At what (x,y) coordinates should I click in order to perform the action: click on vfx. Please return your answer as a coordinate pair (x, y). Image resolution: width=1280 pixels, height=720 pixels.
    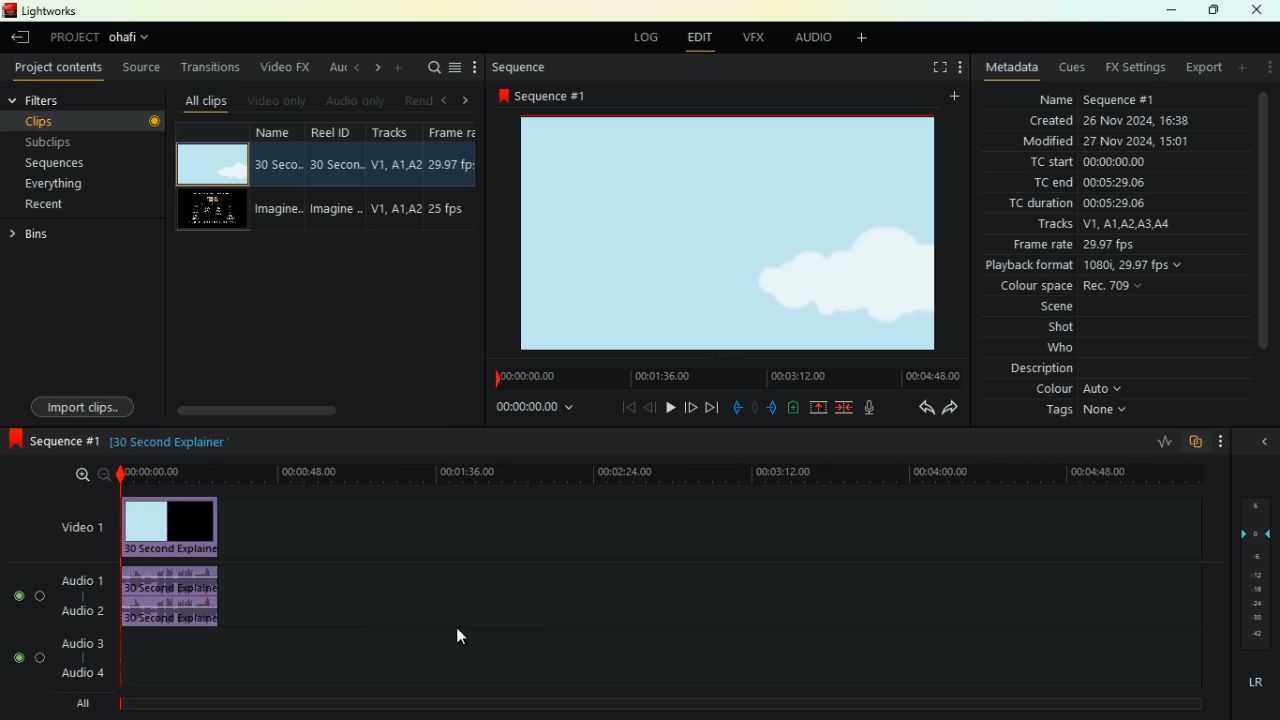
    Looking at the image, I should click on (750, 37).